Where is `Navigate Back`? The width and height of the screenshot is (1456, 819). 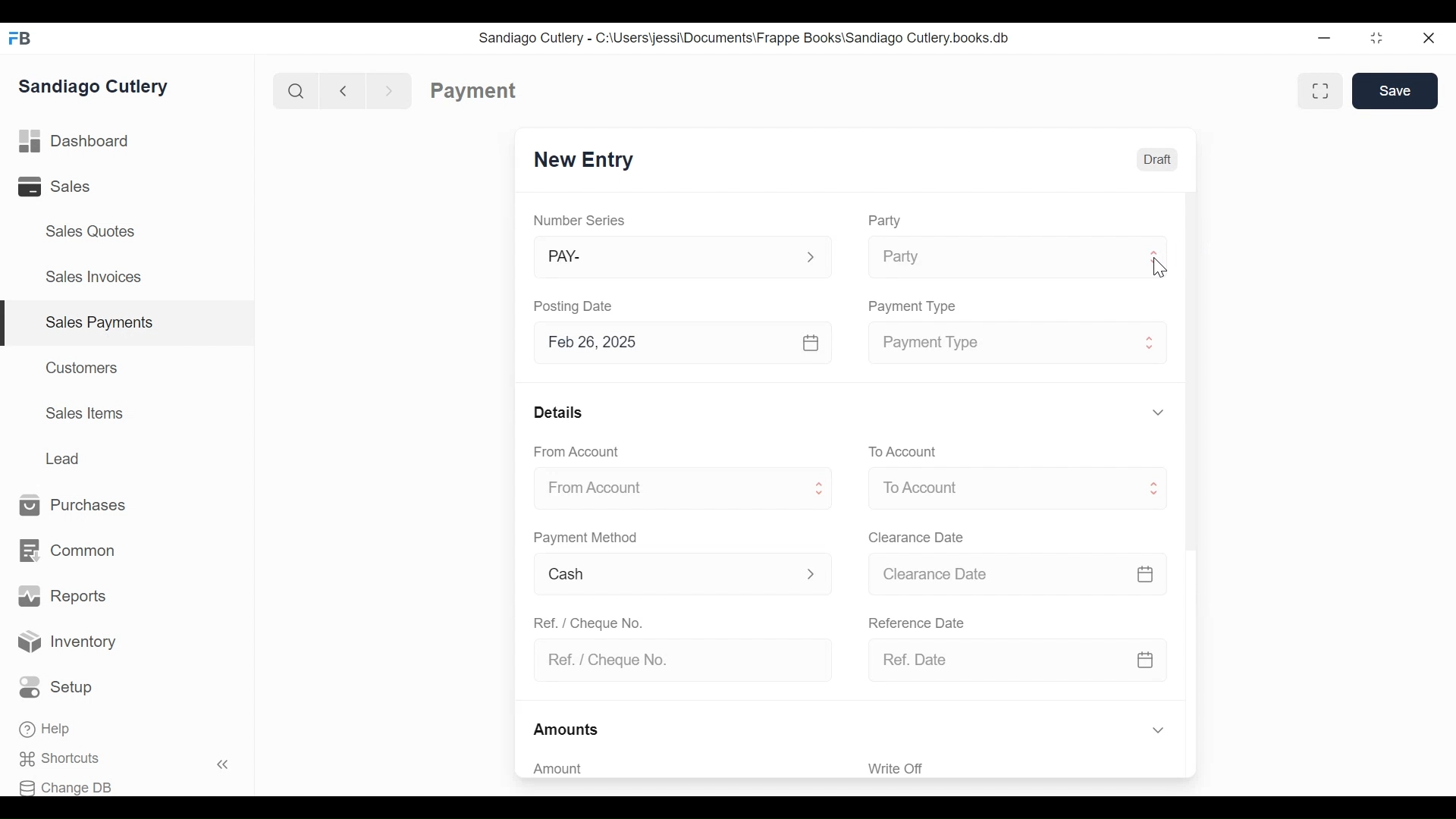
Navigate Back is located at coordinates (340, 90).